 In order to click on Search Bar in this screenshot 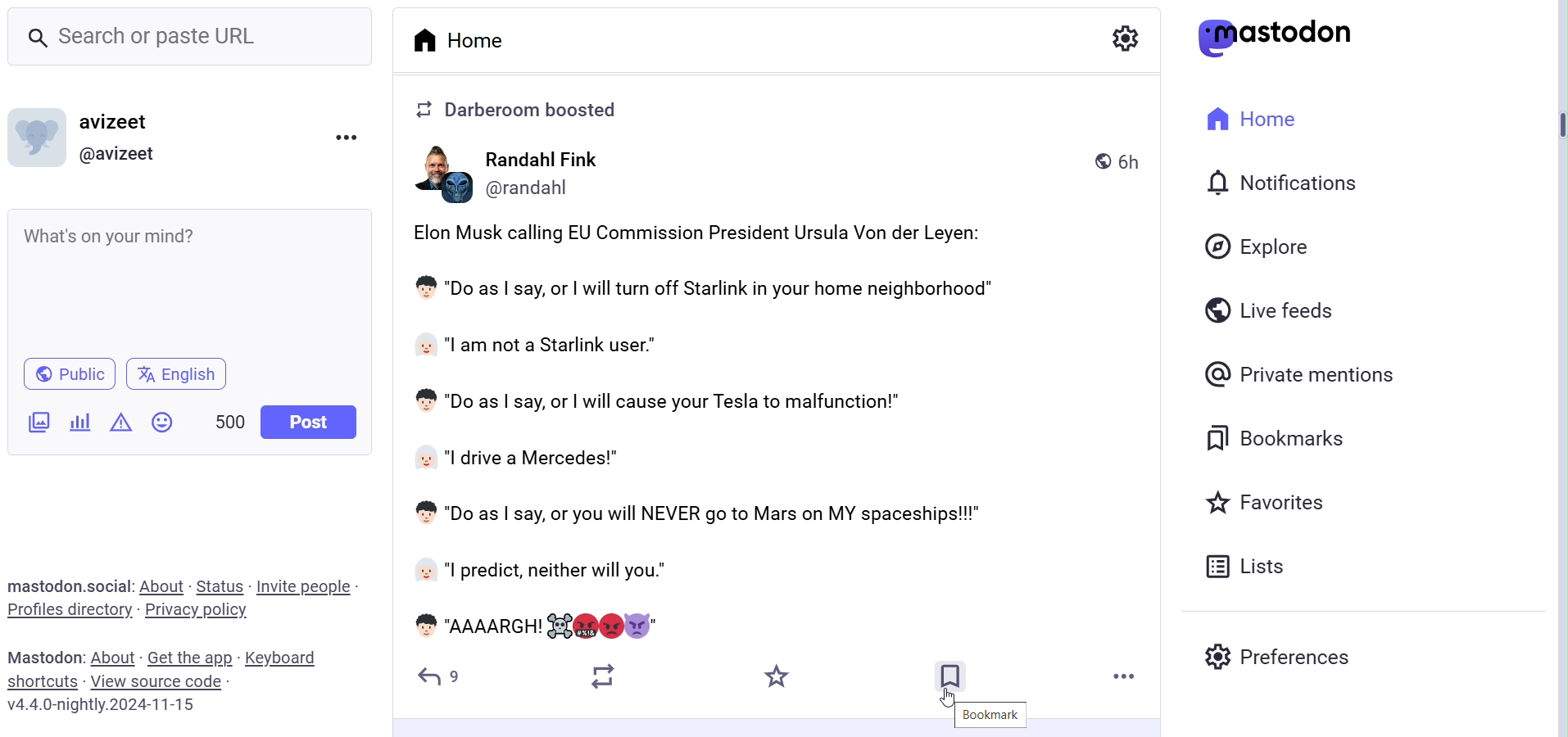, I will do `click(192, 35)`.